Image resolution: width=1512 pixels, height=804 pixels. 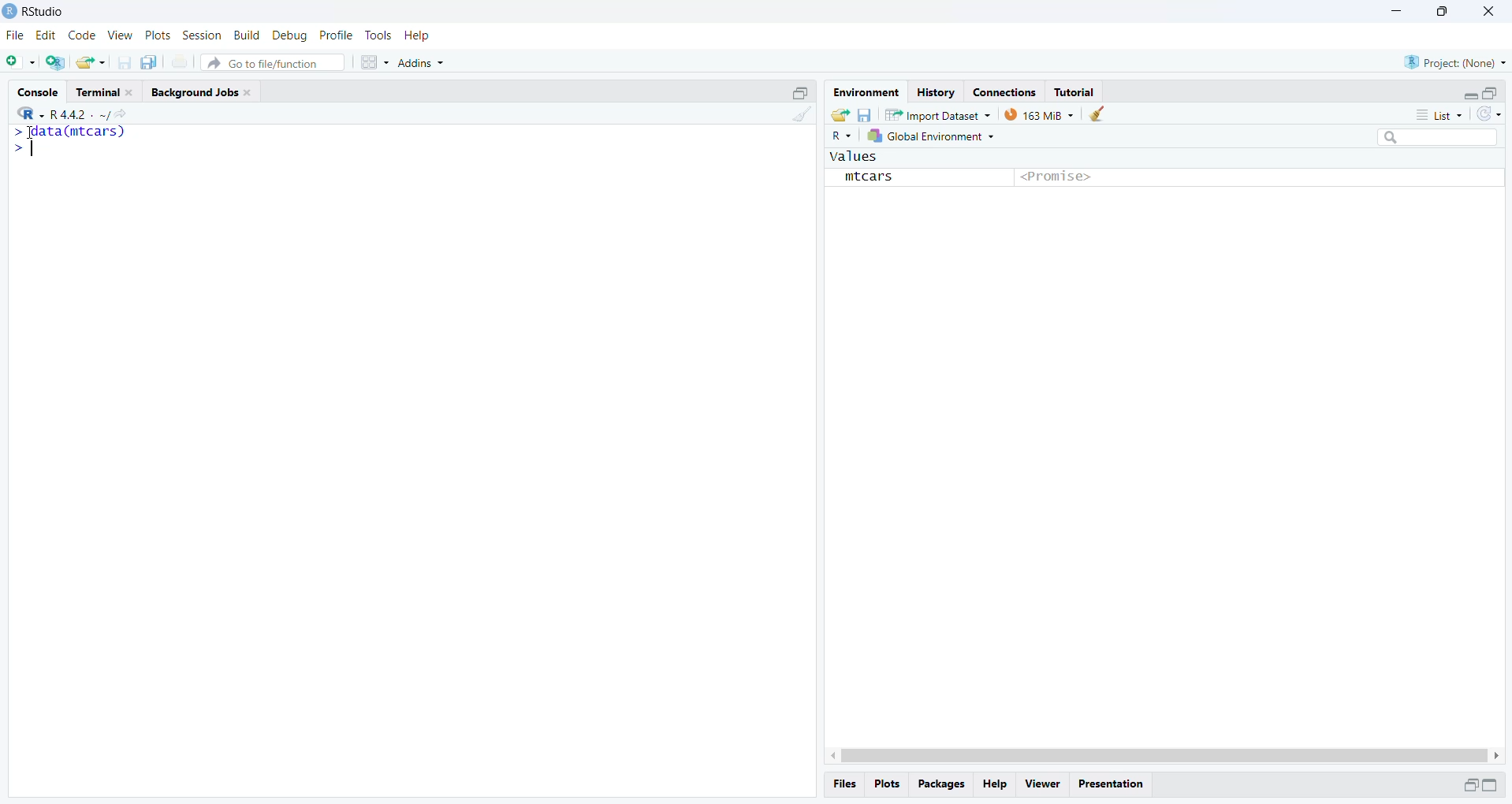 I want to click on expand/collapse, so click(x=1491, y=784).